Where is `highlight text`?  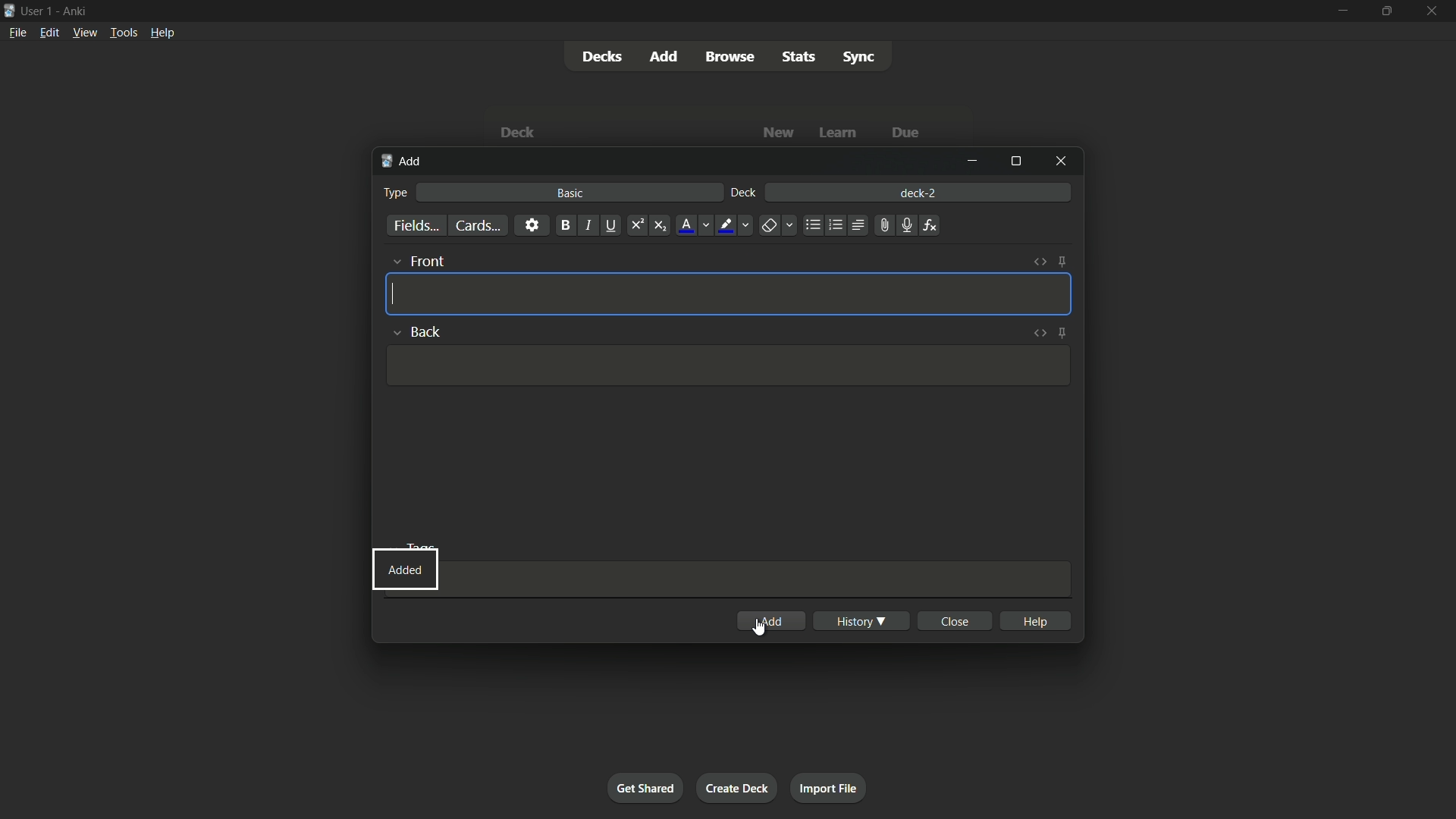 highlight text is located at coordinates (736, 226).